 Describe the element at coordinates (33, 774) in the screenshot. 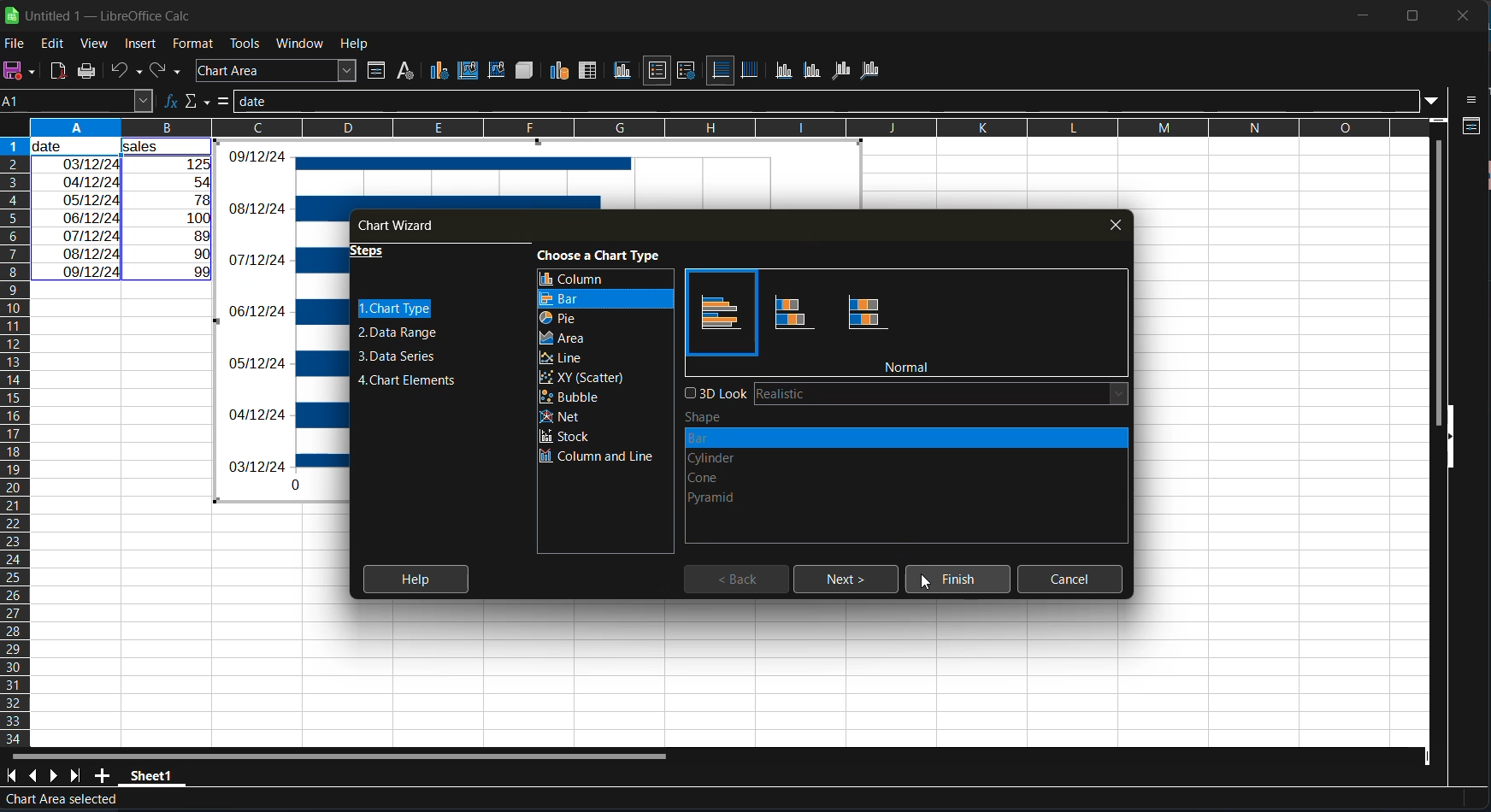

I see `scroll to previous sheet` at that location.